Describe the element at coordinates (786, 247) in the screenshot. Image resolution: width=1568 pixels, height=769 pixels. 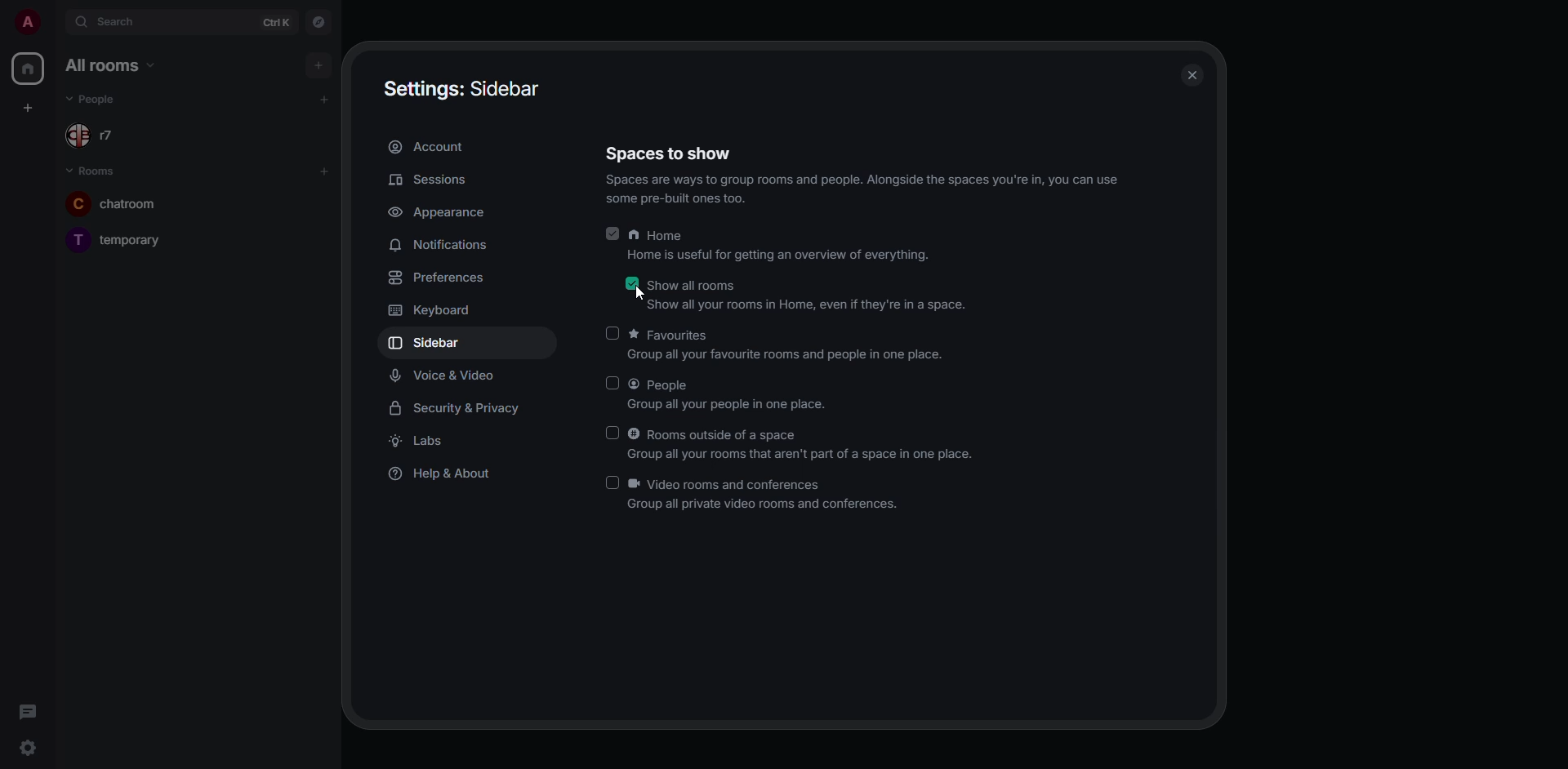
I see `home` at that location.